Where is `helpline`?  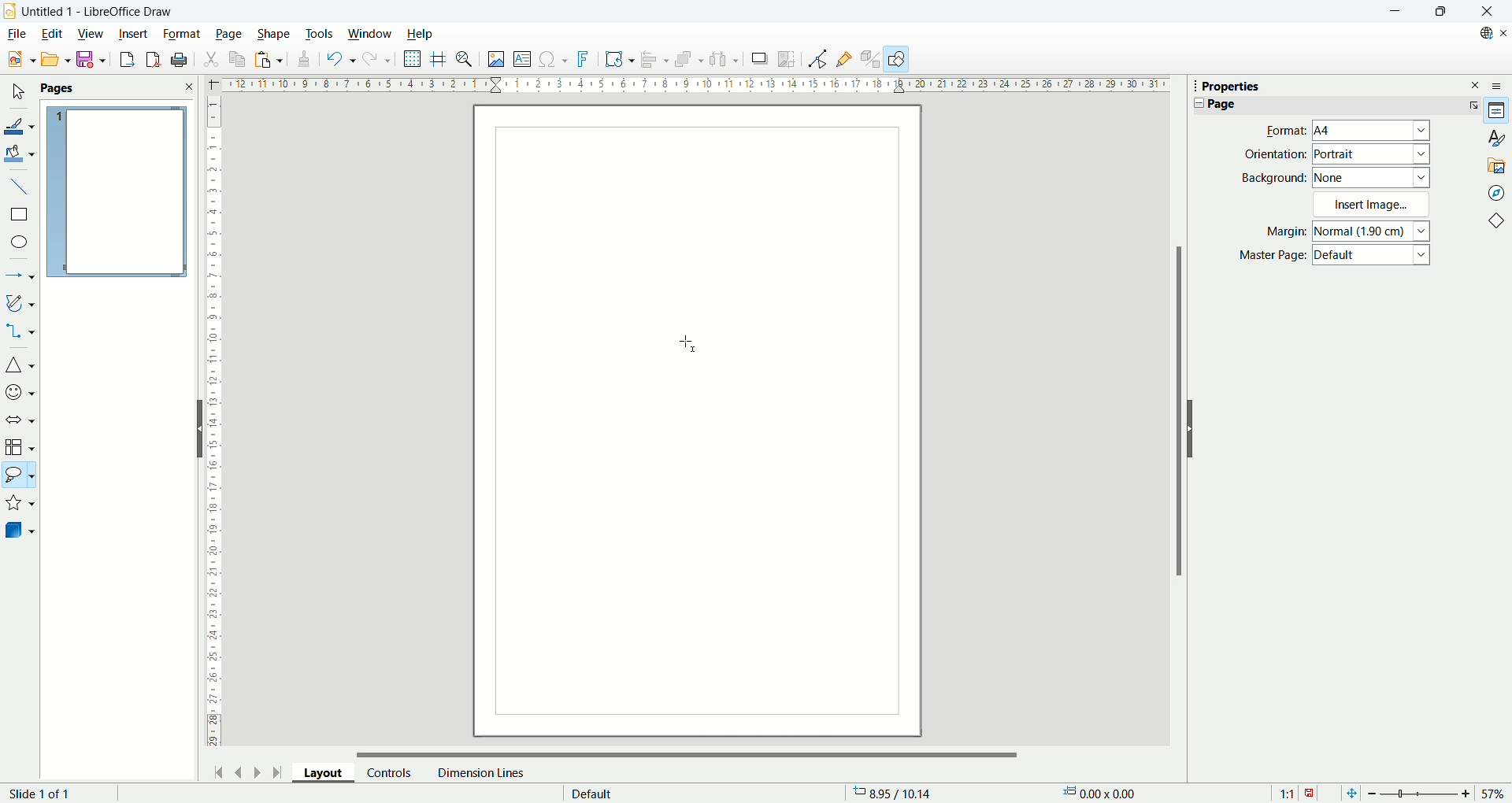
helpline is located at coordinates (439, 59).